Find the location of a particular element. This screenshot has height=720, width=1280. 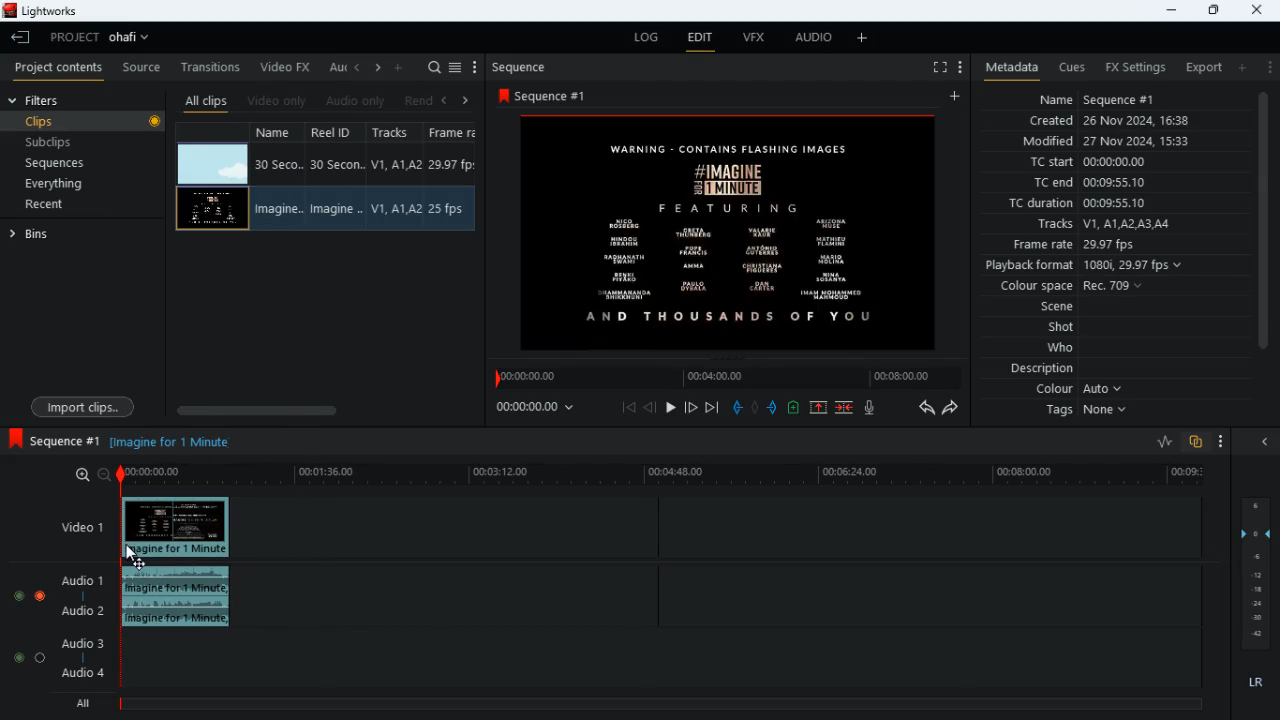

Name is located at coordinates (276, 210).